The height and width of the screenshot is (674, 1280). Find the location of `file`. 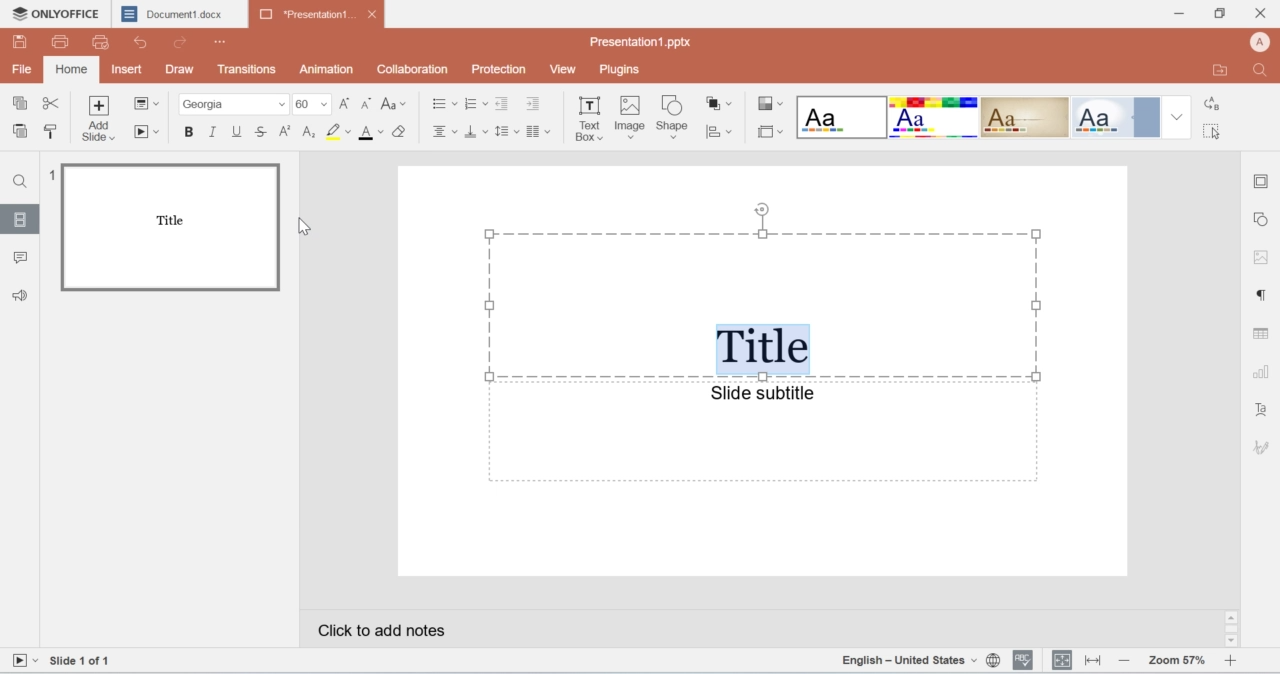

file is located at coordinates (148, 102).